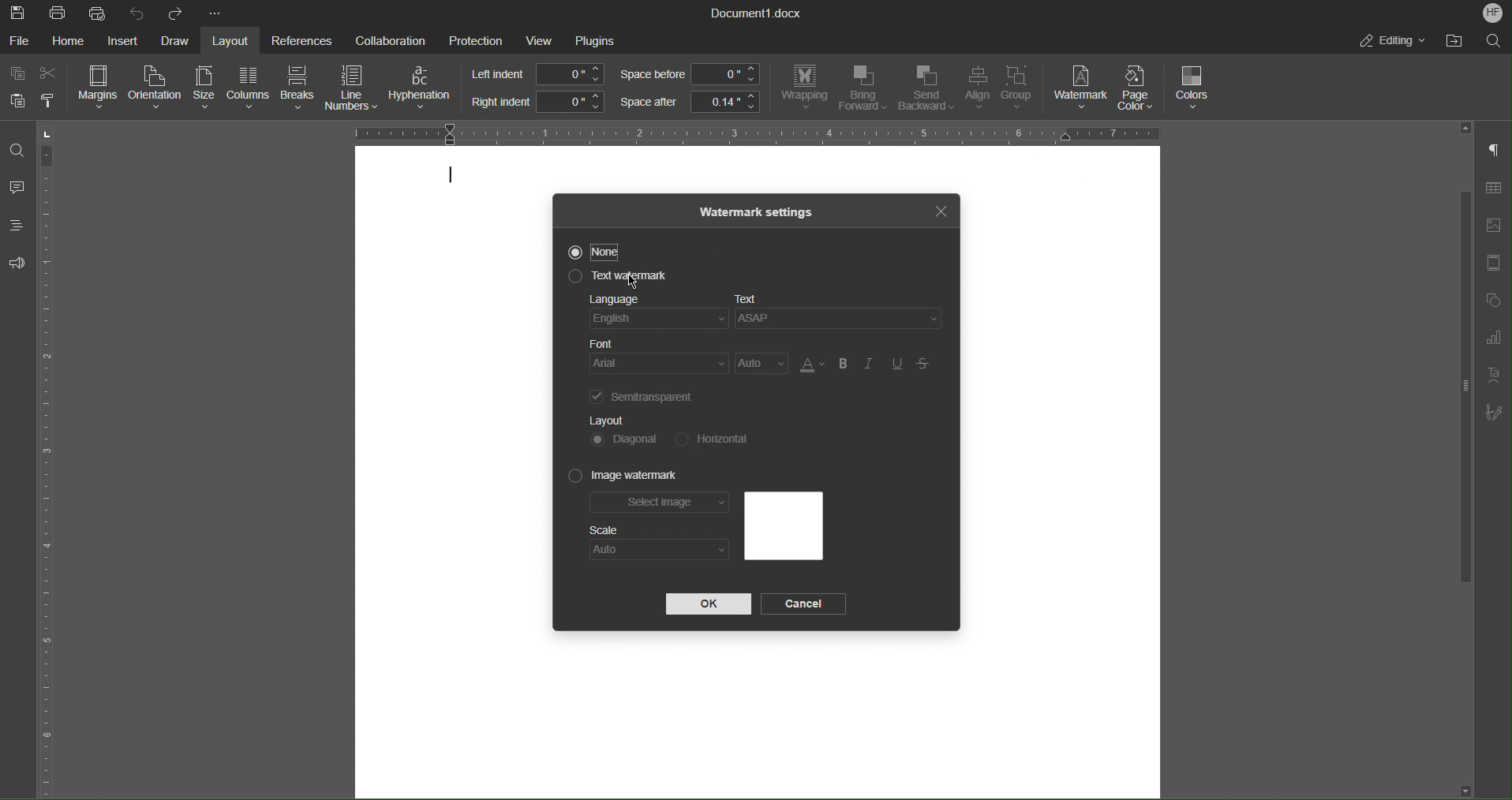 Image resolution: width=1512 pixels, height=800 pixels. Describe the element at coordinates (1492, 264) in the screenshot. I see `Page Template` at that location.